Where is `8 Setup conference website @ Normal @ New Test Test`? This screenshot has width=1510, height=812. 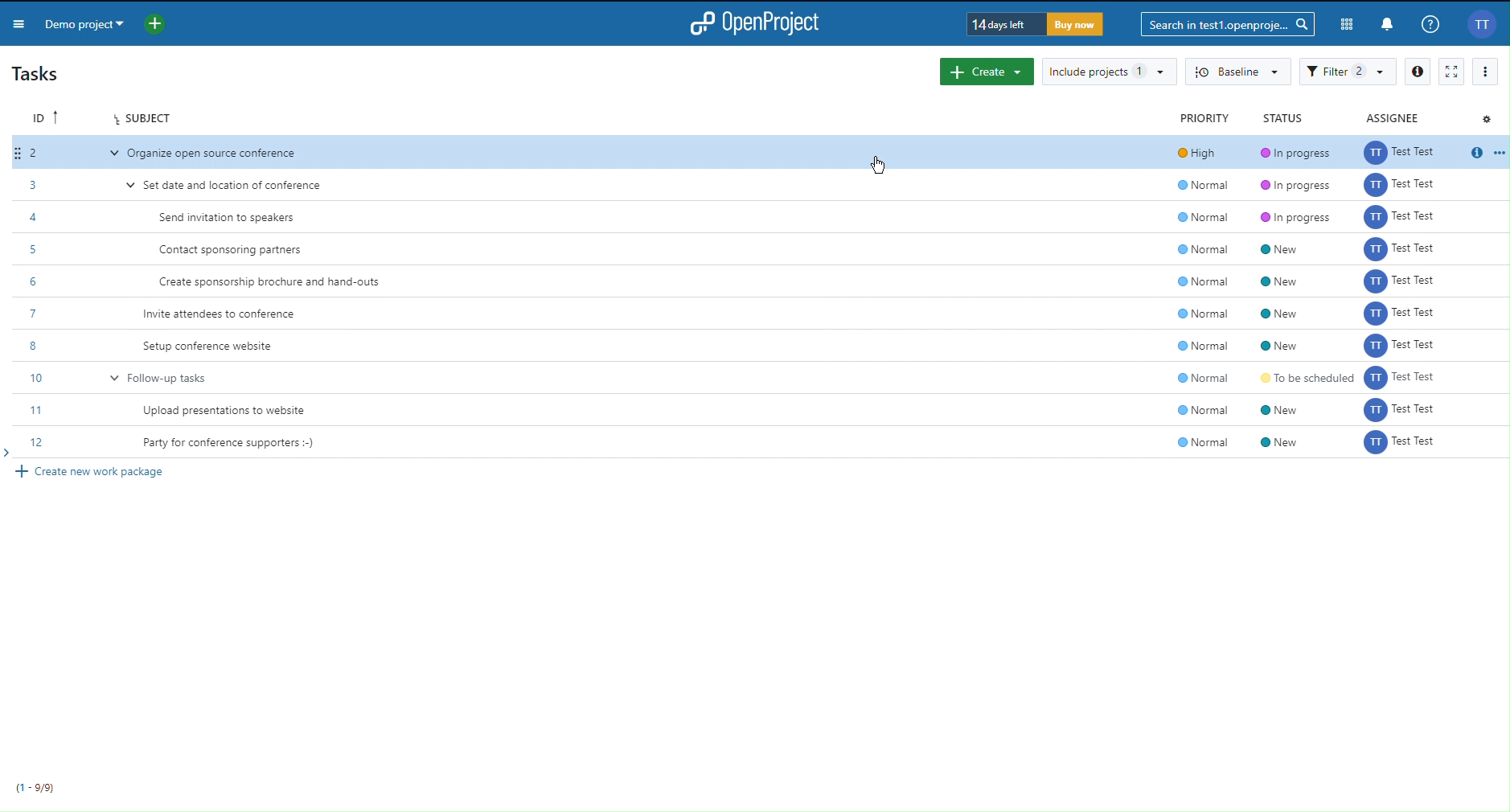 8 Setup conference website @ Normal @ New Test Test is located at coordinates (756, 345).